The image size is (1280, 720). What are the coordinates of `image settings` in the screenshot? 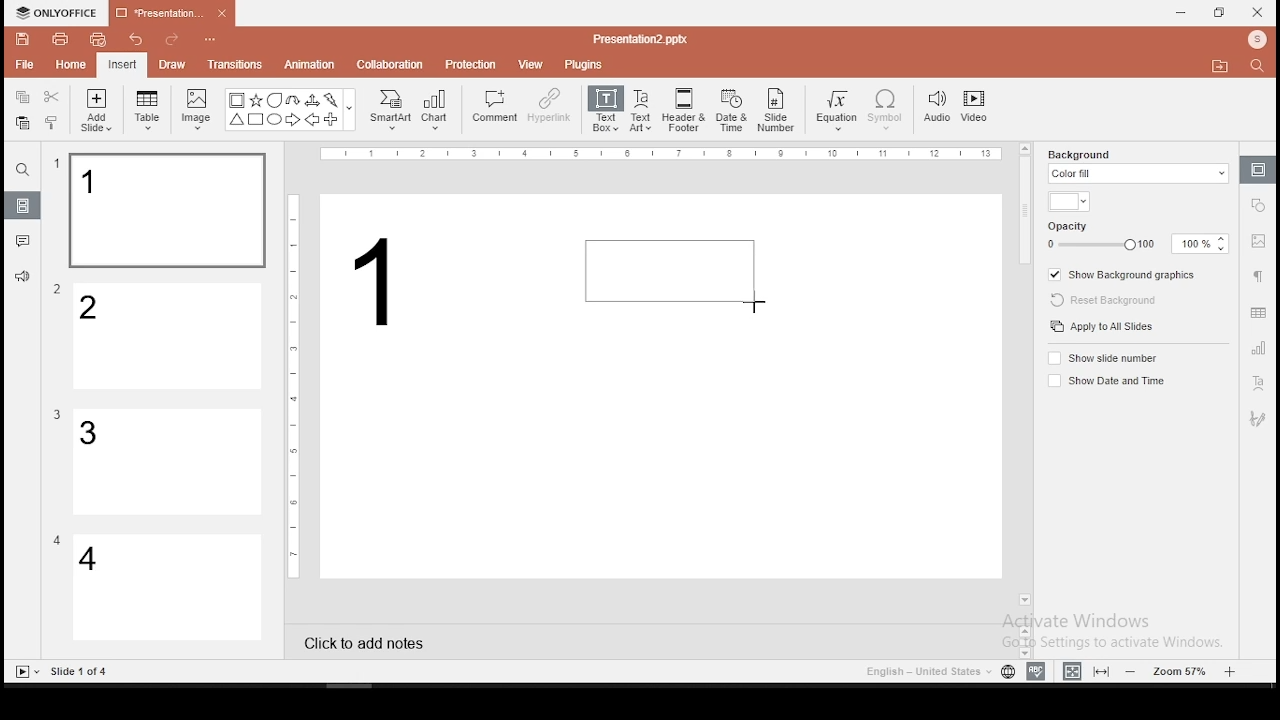 It's located at (1256, 243).